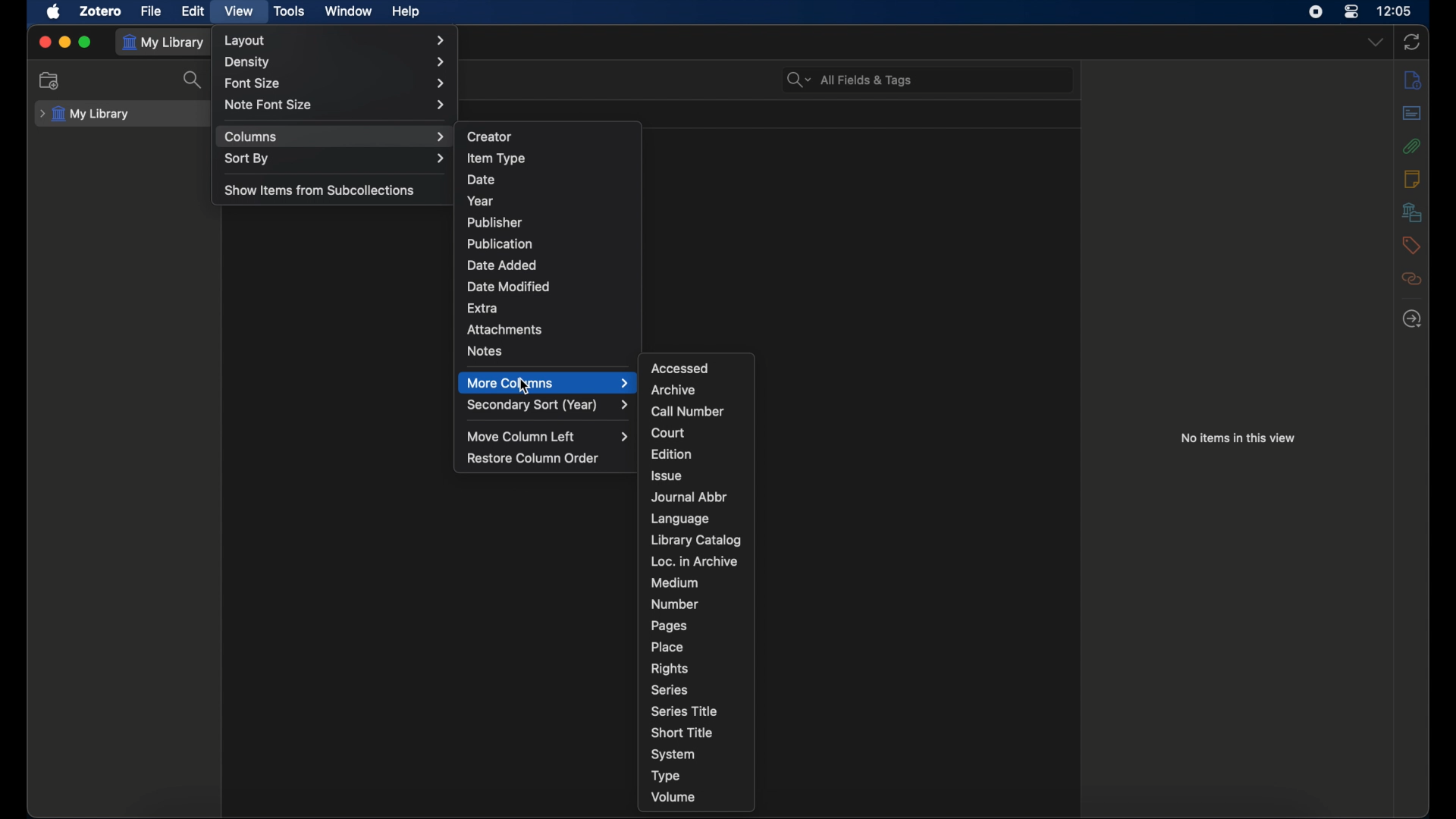  I want to click on locate, so click(1411, 320).